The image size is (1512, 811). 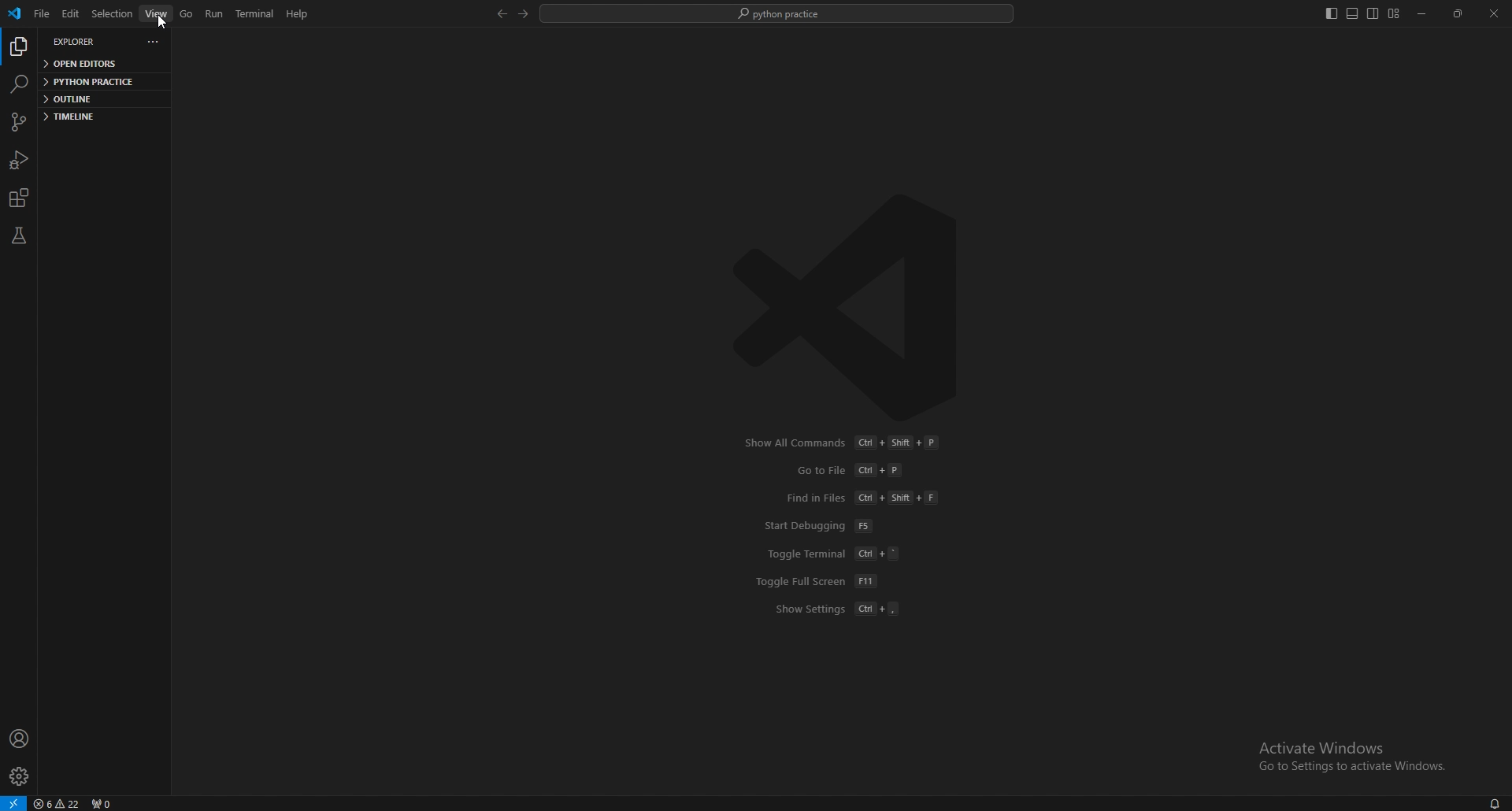 What do you see at coordinates (1423, 13) in the screenshot?
I see `minimize` at bounding box center [1423, 13].